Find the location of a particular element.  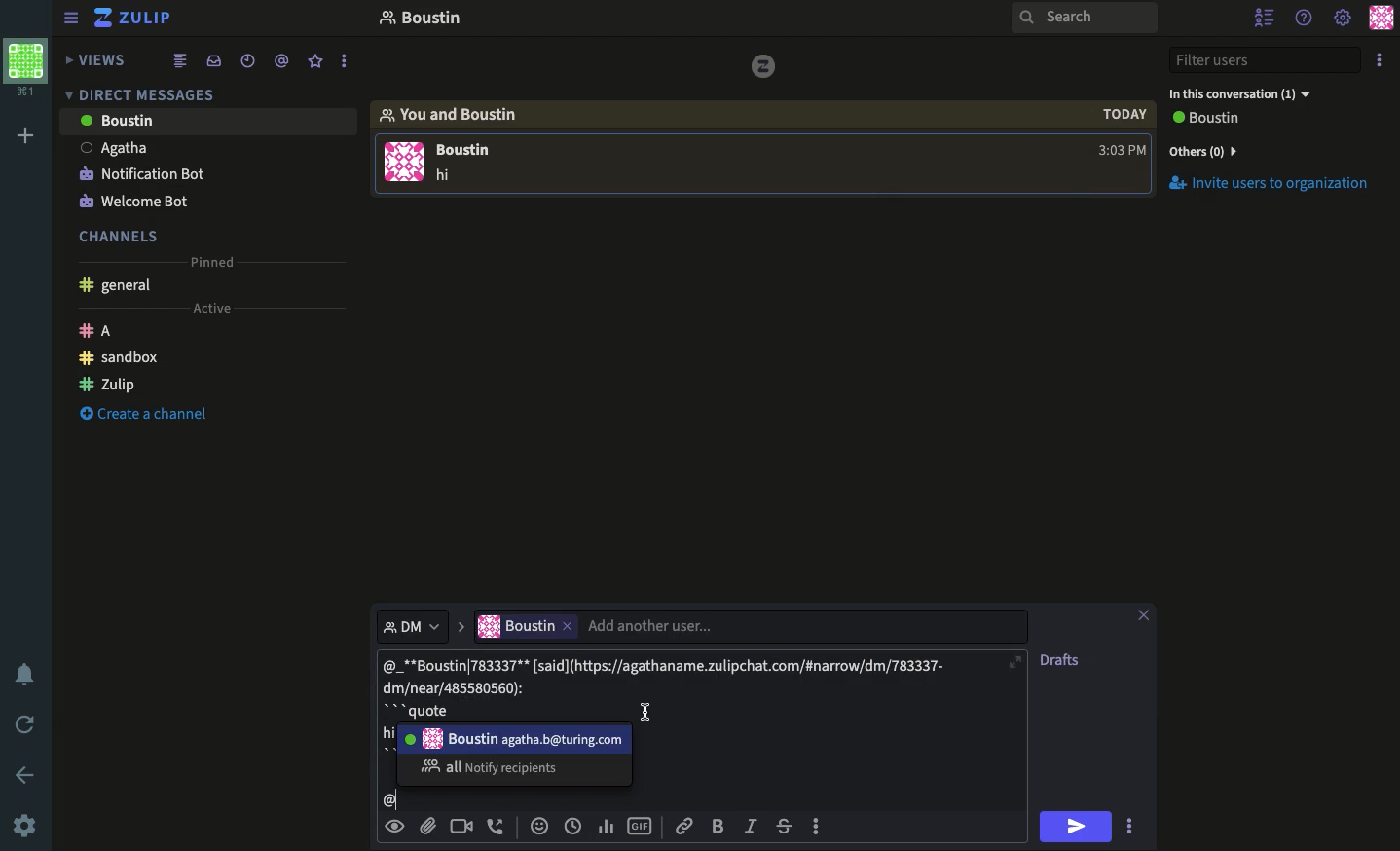

DM is located at coordinates (145, 93).